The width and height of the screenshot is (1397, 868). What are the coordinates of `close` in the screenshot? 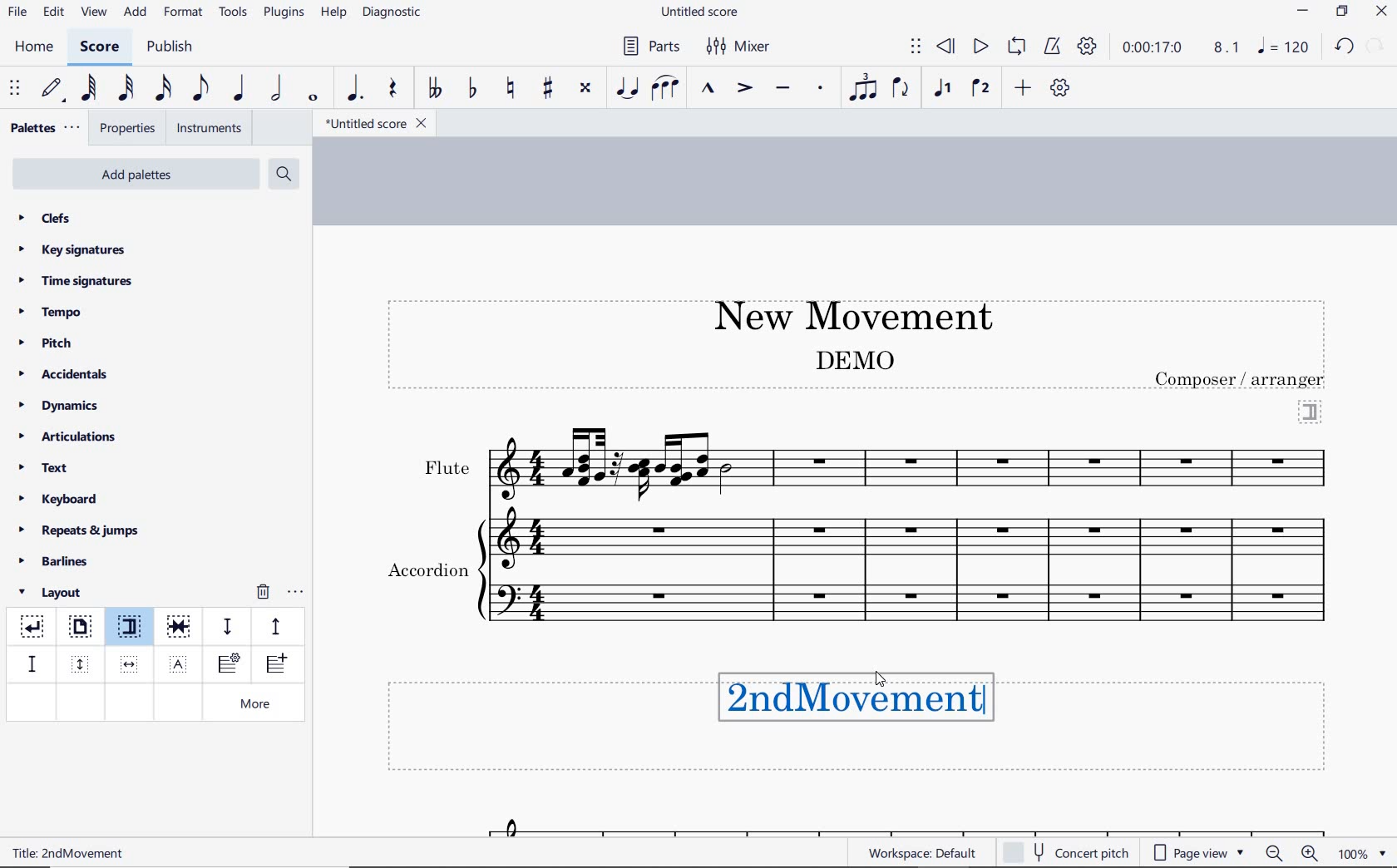 It's located at (1381, 13).